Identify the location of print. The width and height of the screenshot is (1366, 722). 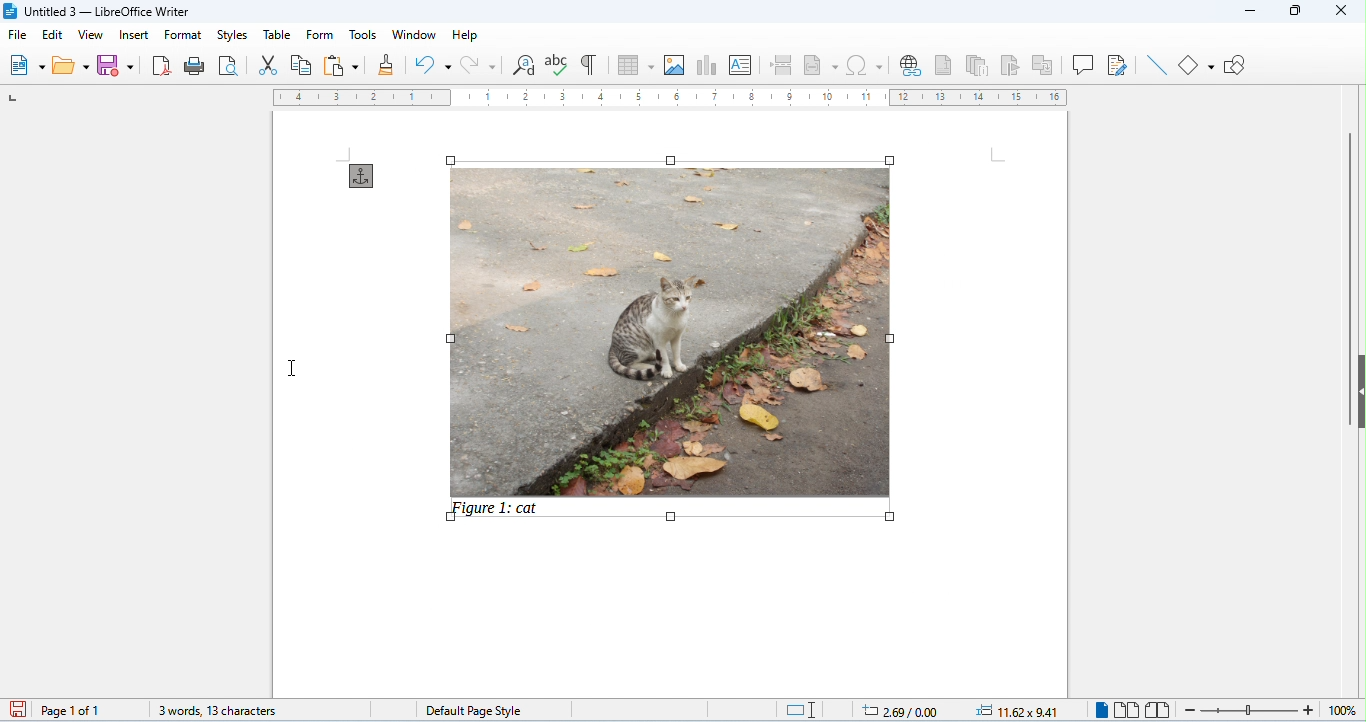
(197, 66).